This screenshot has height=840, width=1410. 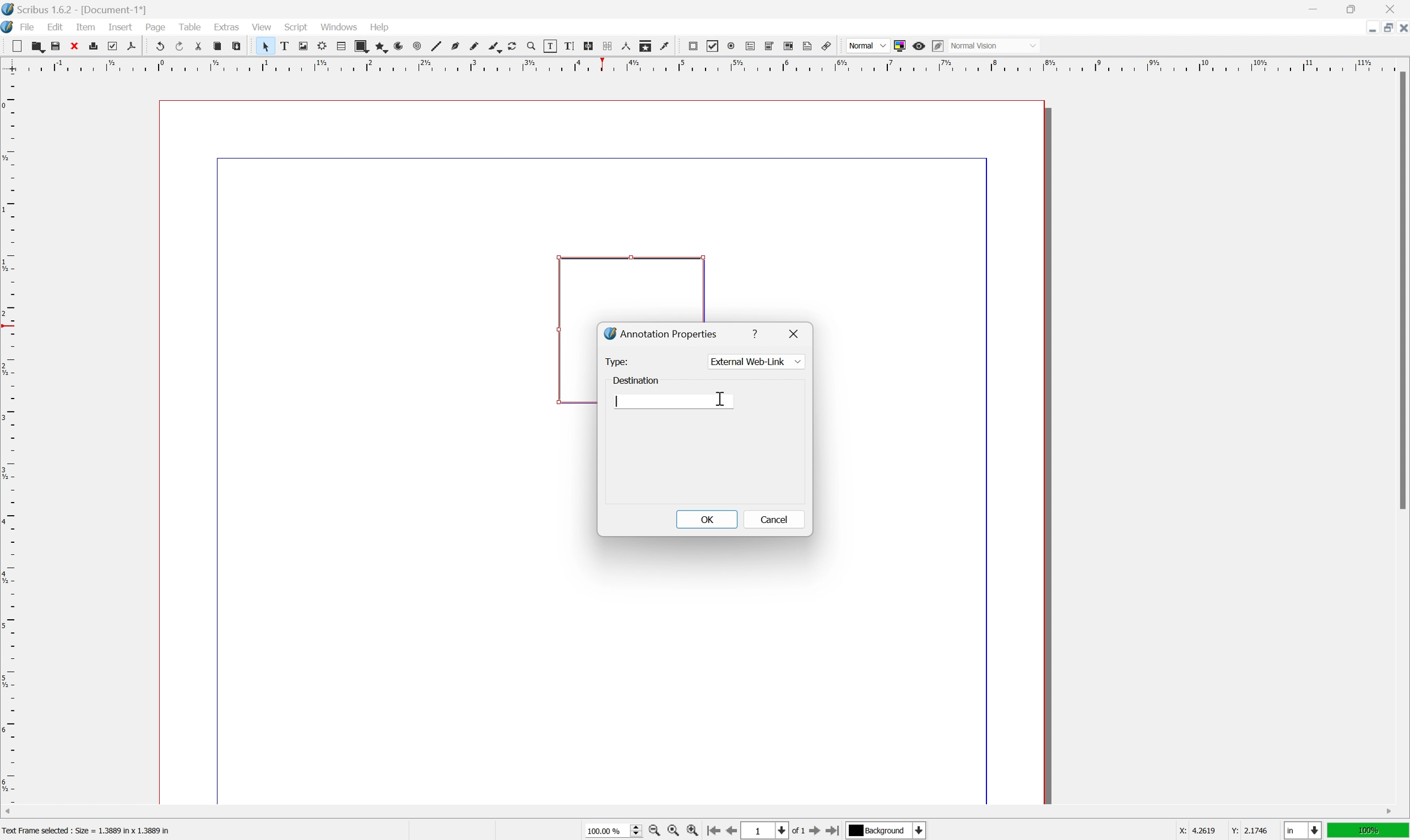 I want to click on select item, so click(x=266, y=46).